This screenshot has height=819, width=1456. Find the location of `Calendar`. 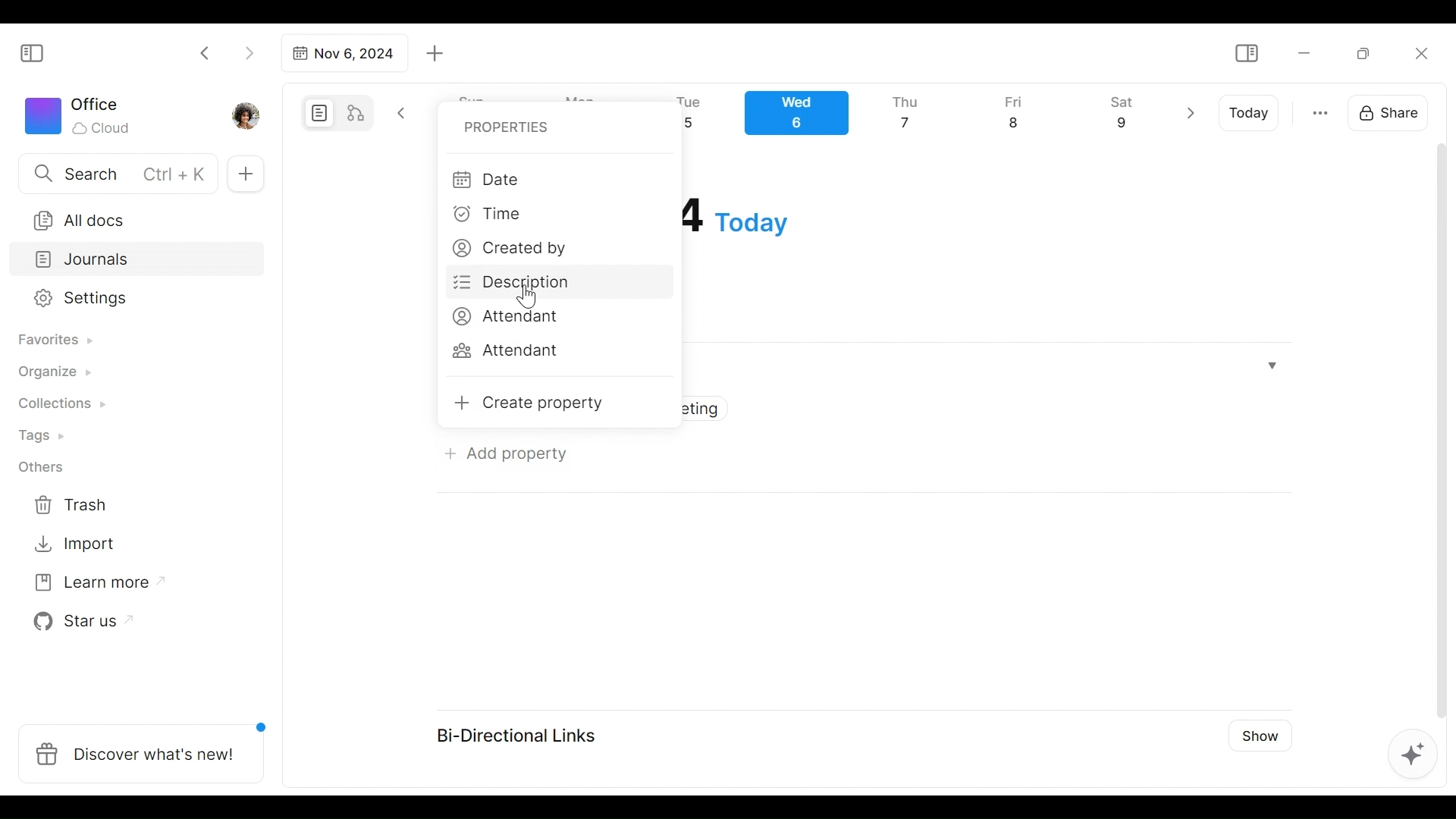

Calendar is located at coordinates (944, 117).